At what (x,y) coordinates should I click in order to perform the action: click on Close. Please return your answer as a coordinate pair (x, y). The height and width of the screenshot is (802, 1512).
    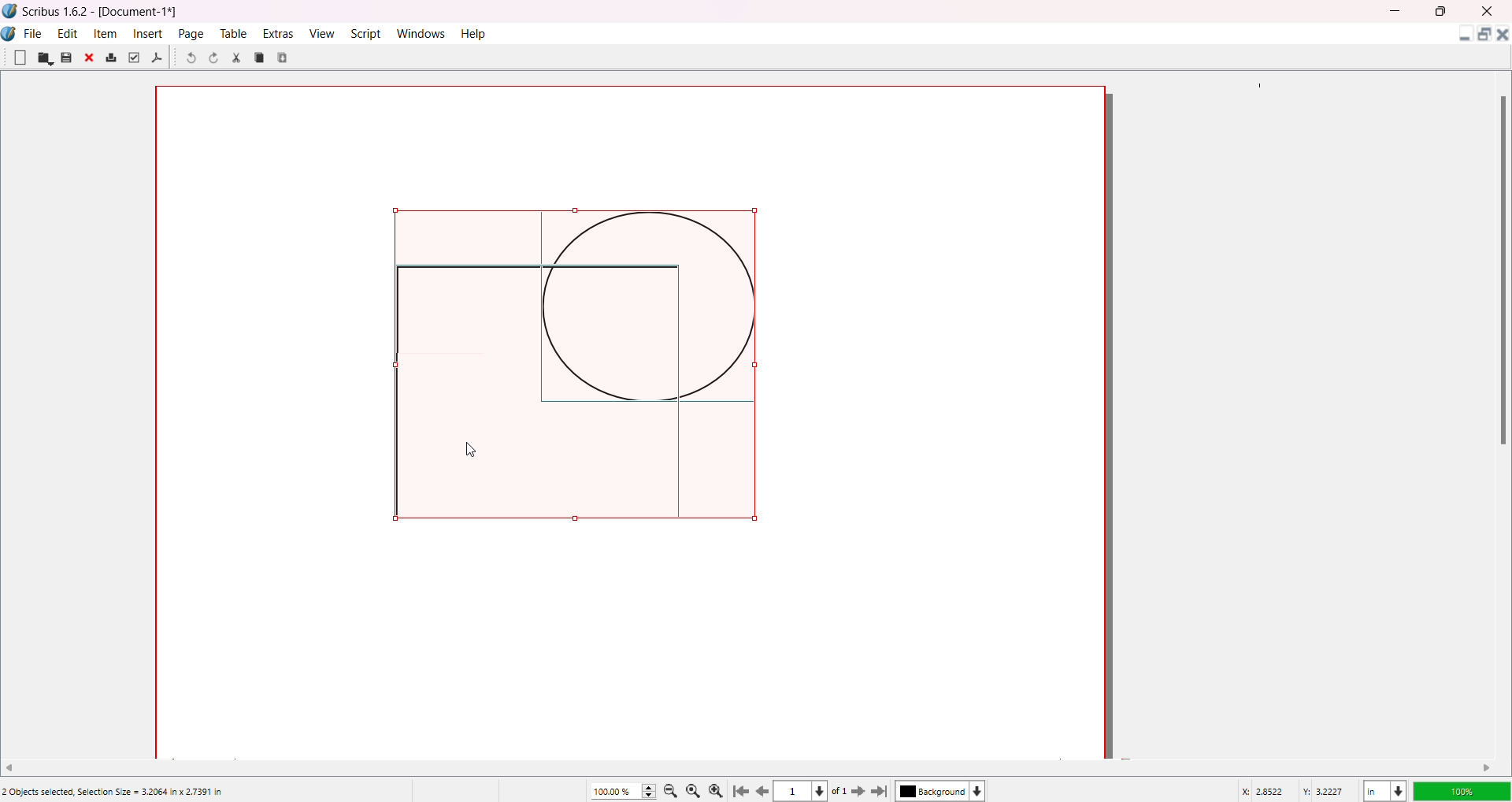
    Looking at the image, I should click on (91, 59).